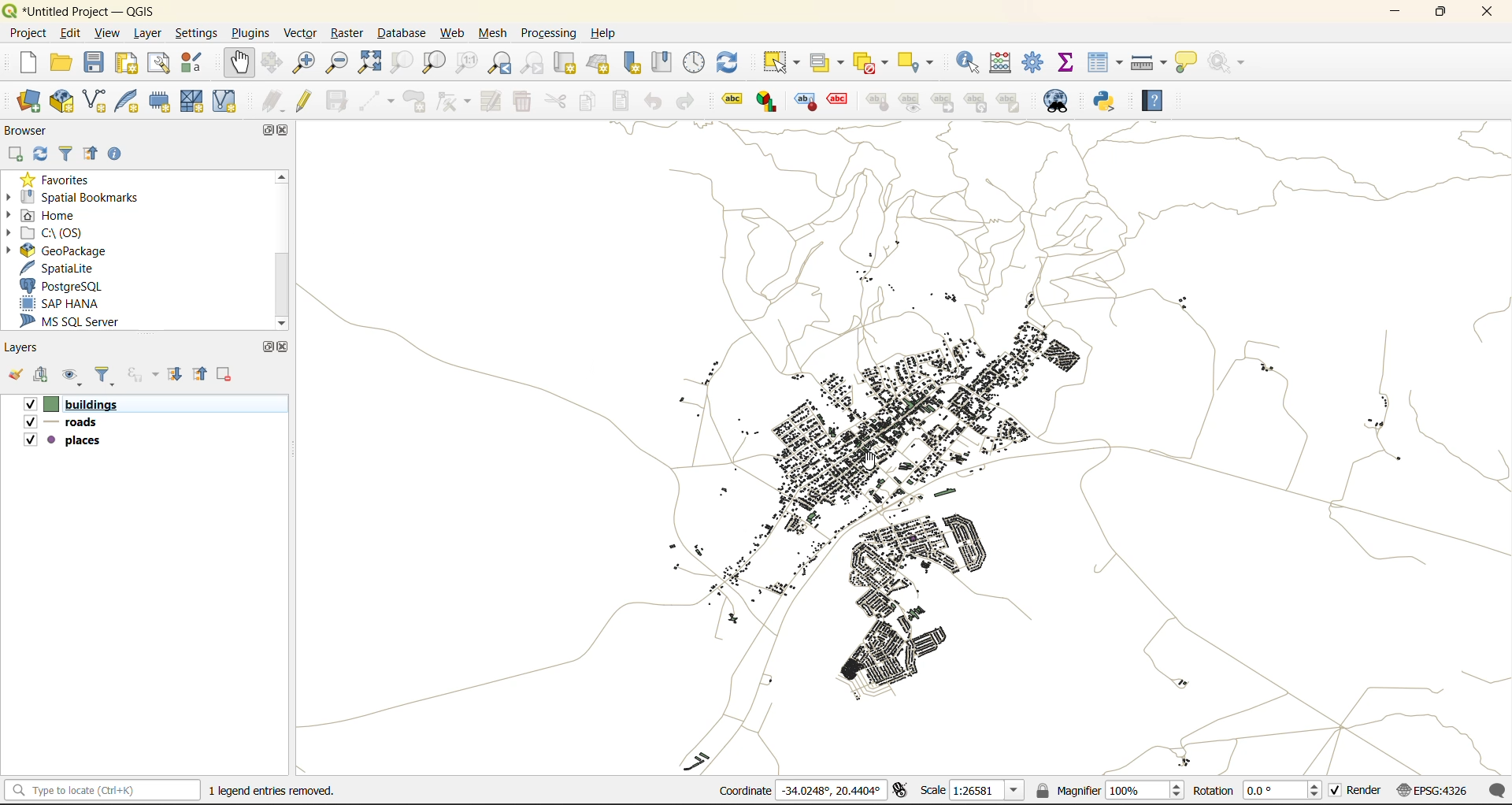 The image size is (1512, 805). What do you see at coordinates (406, 65) in the screenshot?
I see `zoom selection` at bounding box center [406, 65].